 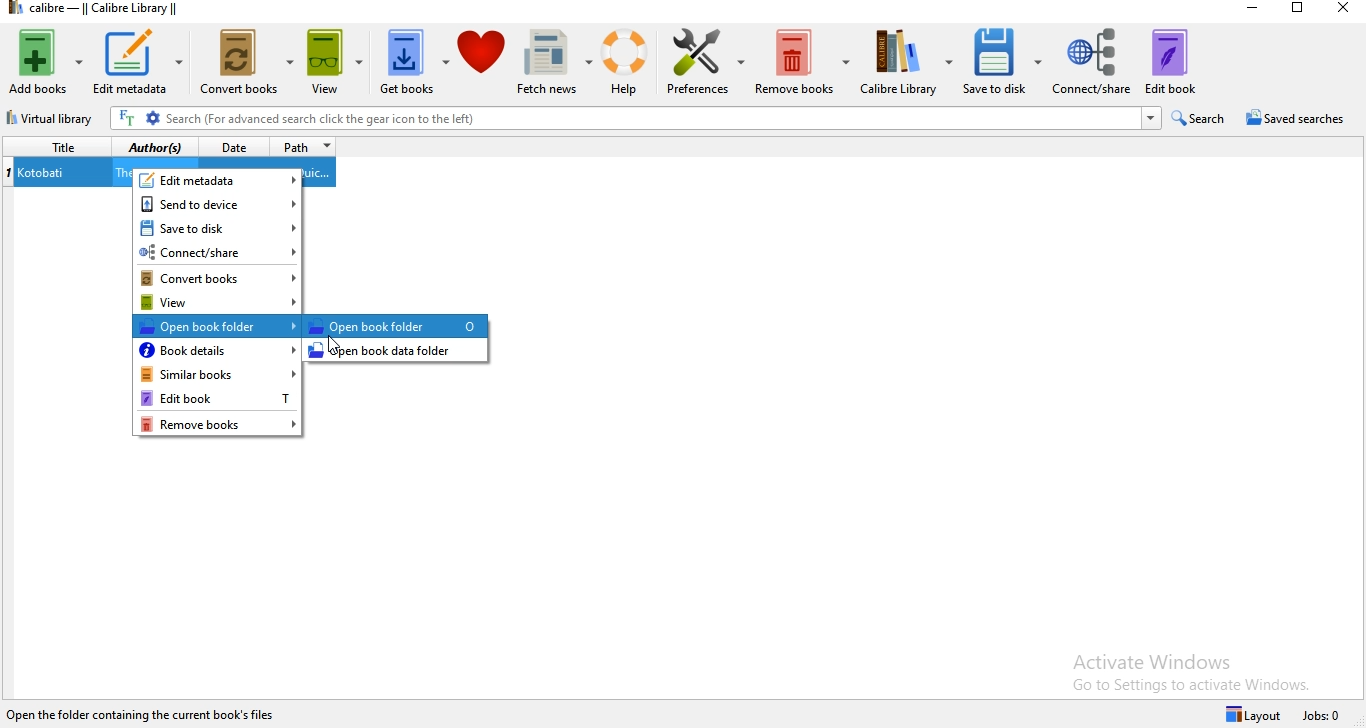 I want to click on edit metadata, so click(x=219, y=179).